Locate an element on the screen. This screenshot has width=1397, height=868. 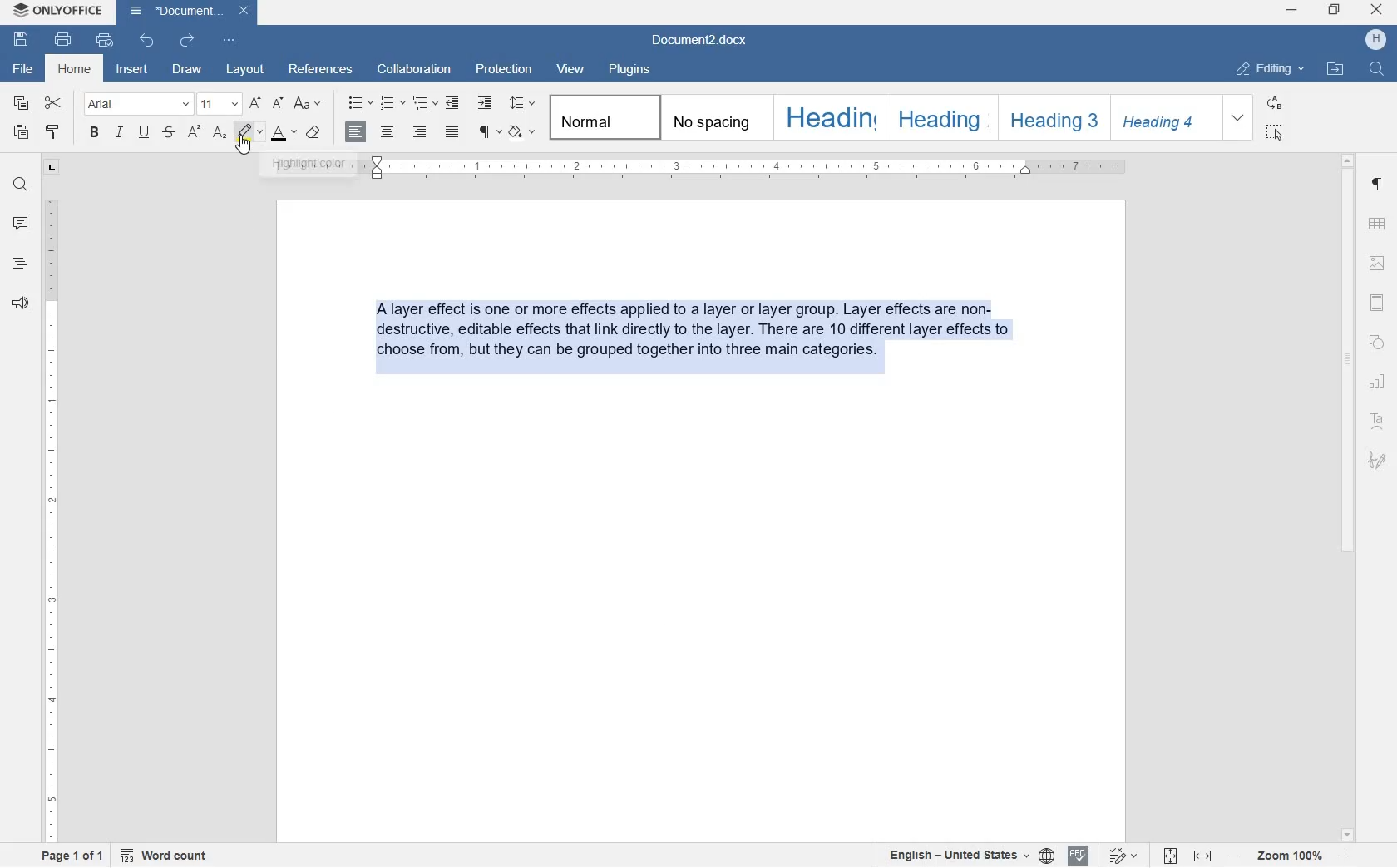
open file location is located at coordinates (1335, 68).